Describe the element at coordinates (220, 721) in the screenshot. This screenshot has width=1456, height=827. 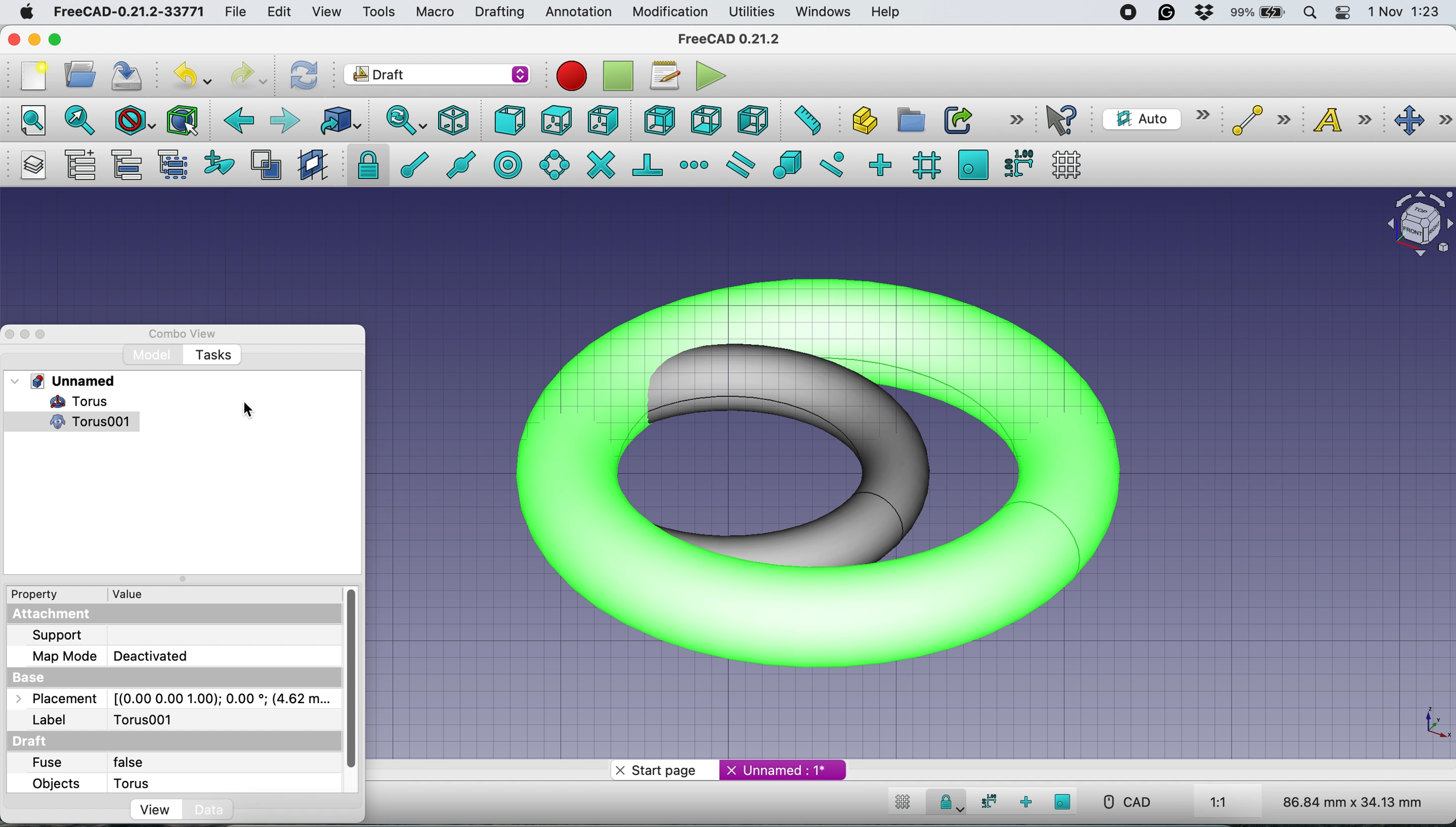
I see `Username of the object` at that location.